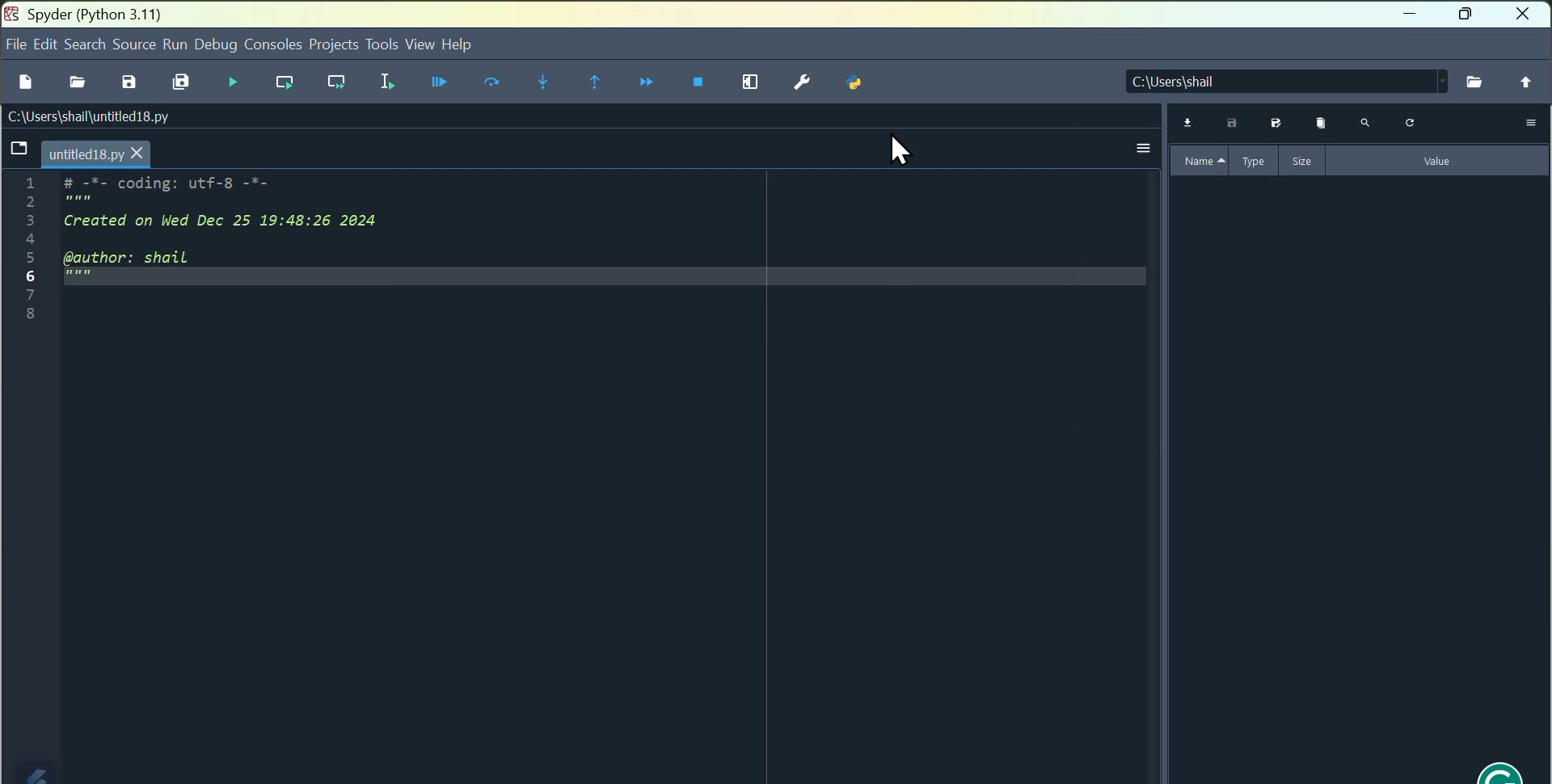 The height and width of the screenshot is (784, 1552). I want to click on type, so click(1255, 161).